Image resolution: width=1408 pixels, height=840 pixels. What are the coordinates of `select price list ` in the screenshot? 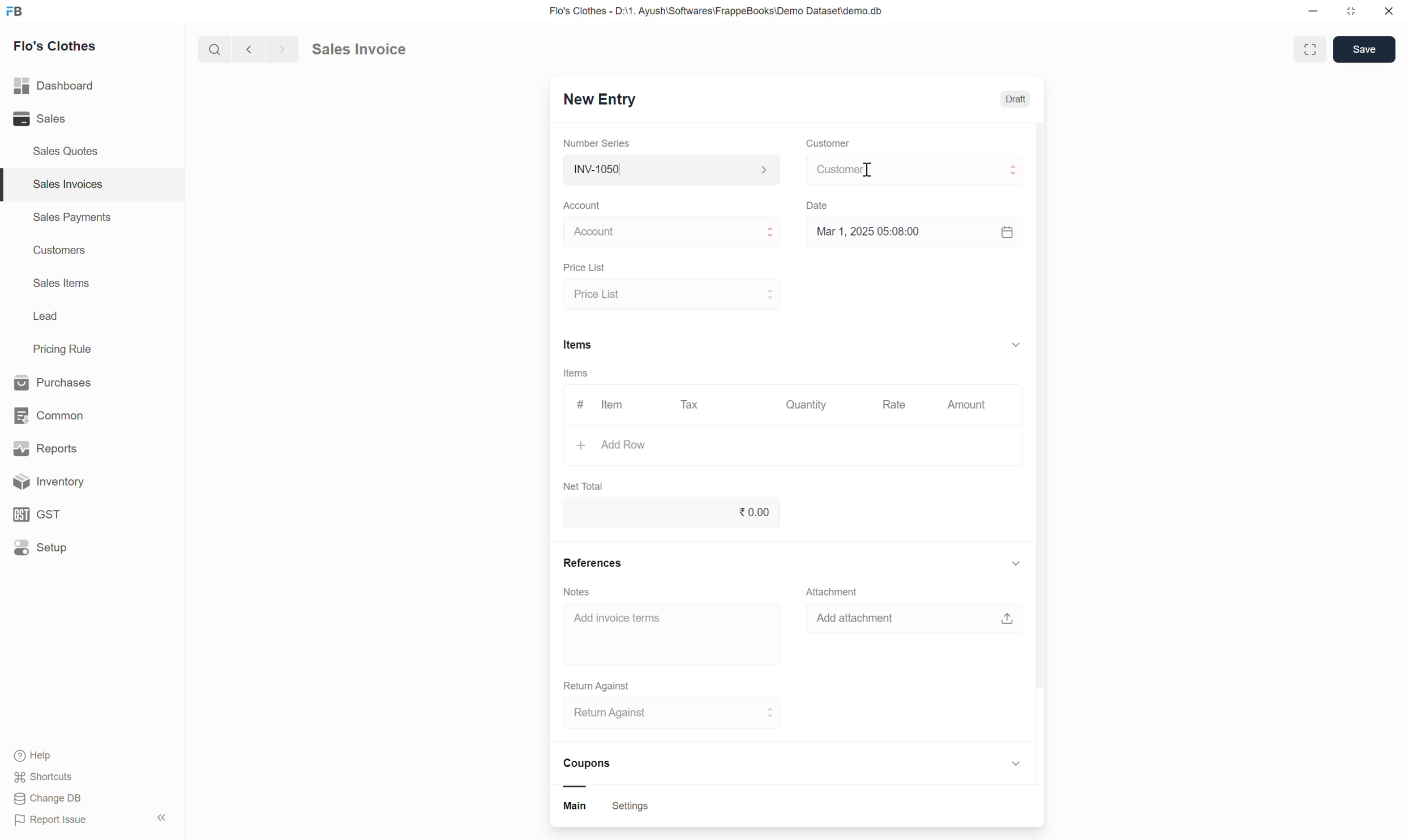 It's located at (671, 294).